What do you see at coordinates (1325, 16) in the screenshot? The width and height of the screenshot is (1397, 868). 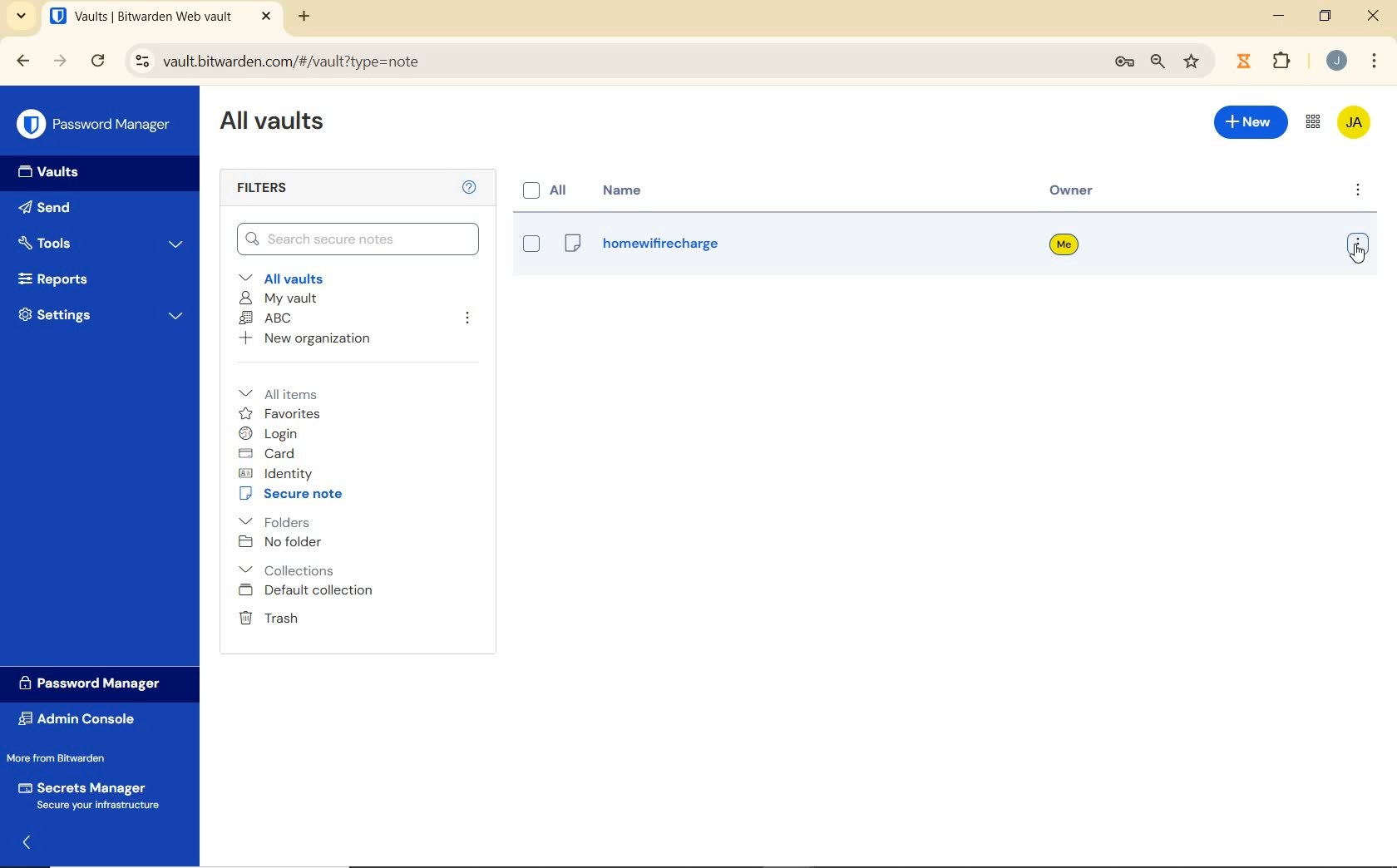 I see `restore` at bounding box center [1325, 16].